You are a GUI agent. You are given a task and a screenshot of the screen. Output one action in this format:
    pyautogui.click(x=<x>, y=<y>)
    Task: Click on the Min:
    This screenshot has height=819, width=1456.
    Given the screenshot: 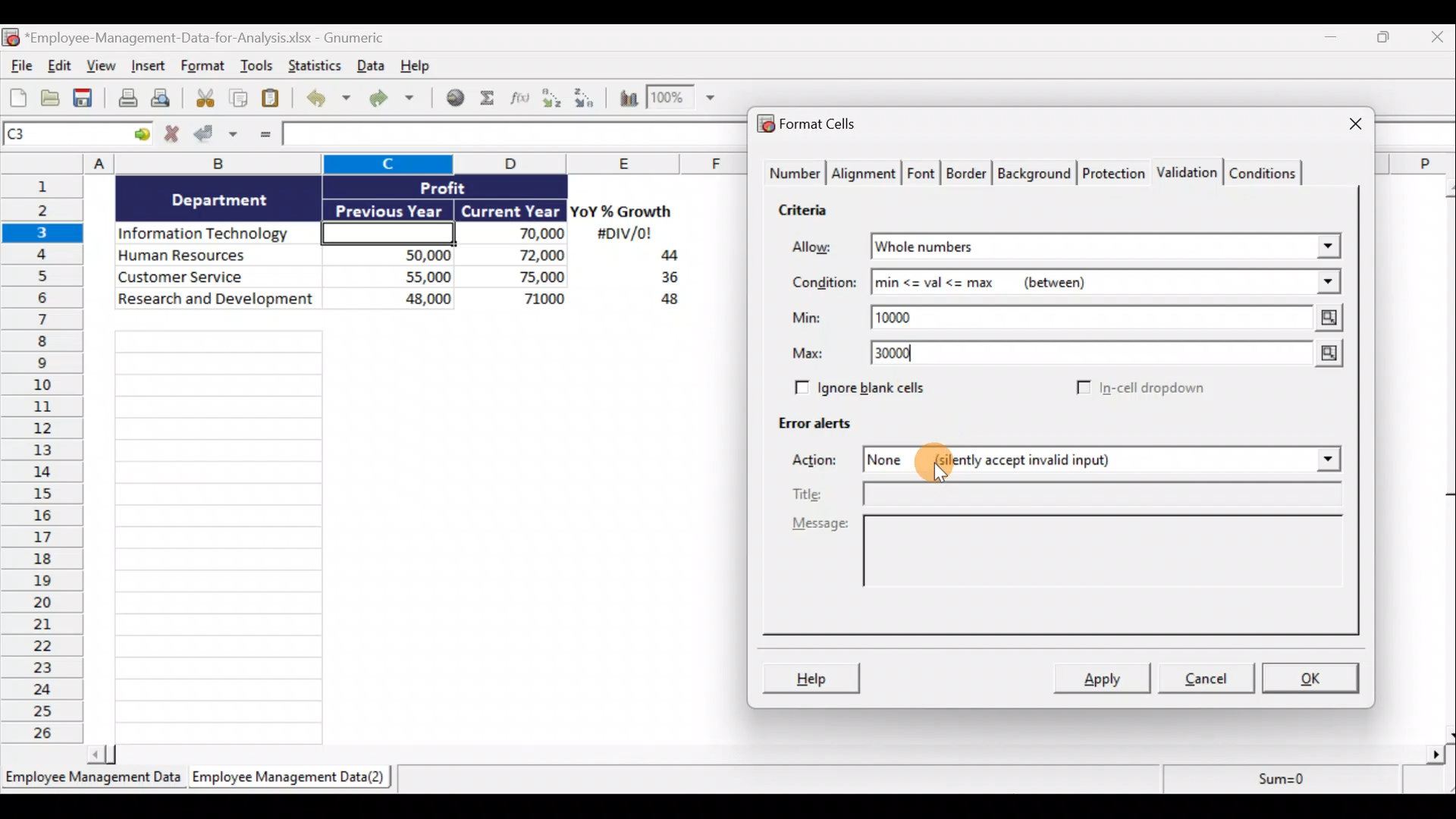 What is the action you would take?
    pyautogui.click(x=807, y=320)
    